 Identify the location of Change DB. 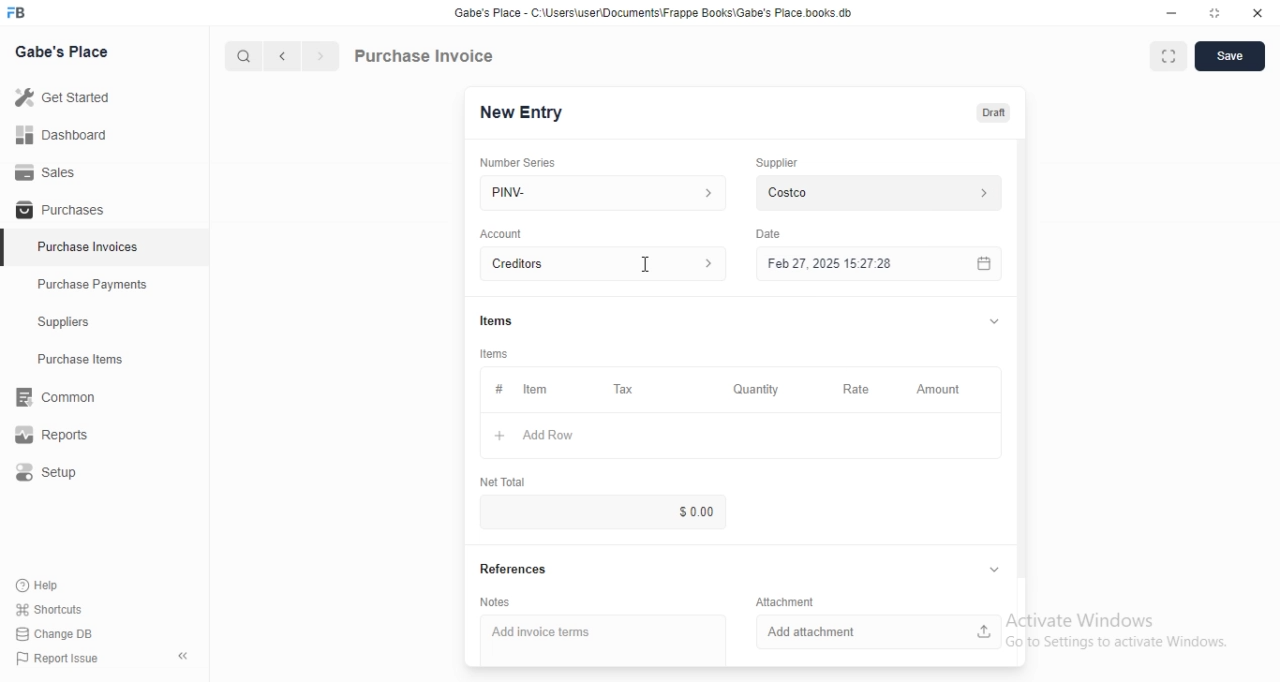
(54, 634).